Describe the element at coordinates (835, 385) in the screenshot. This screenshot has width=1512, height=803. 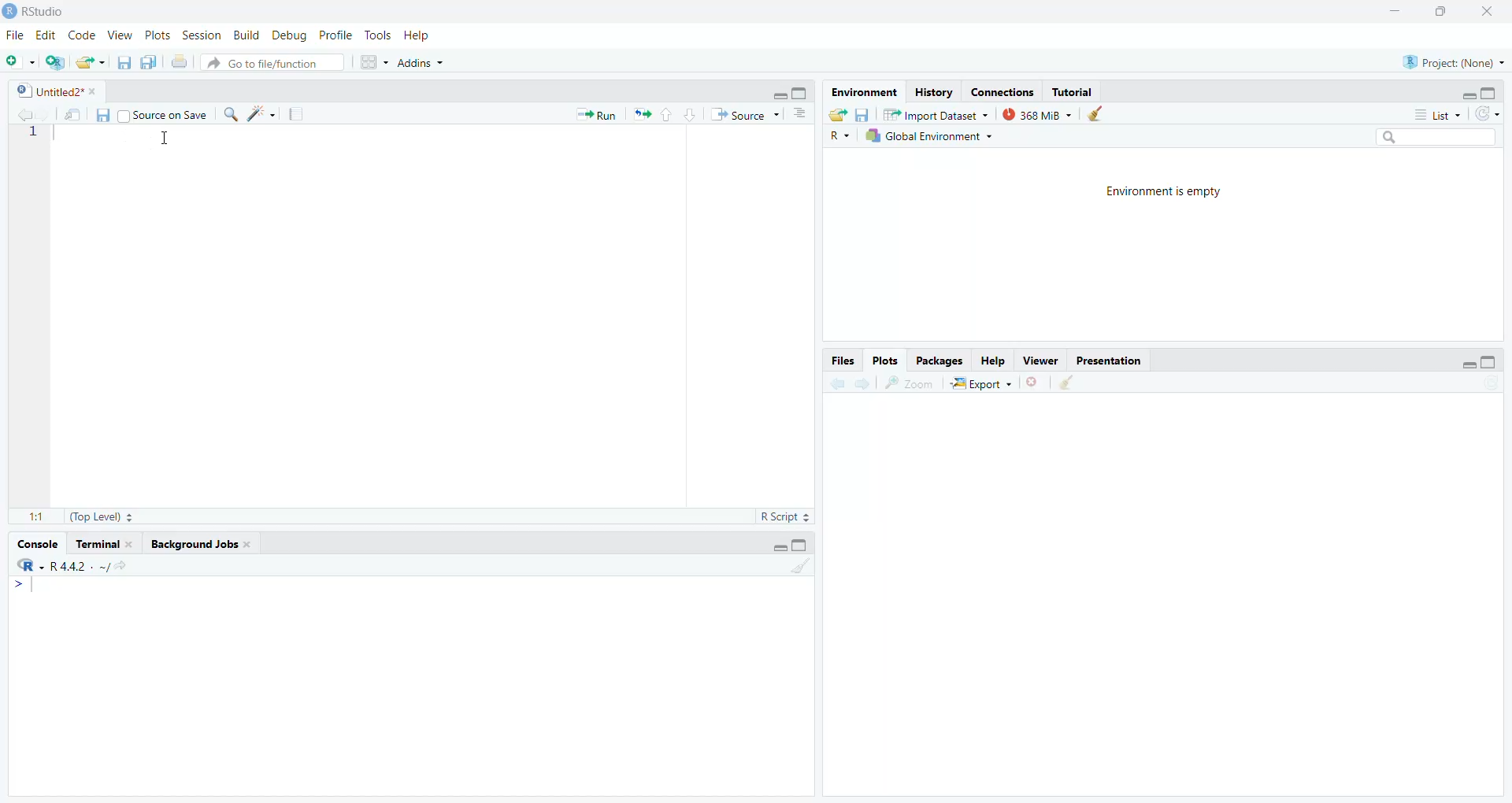
I see `back` at that location.